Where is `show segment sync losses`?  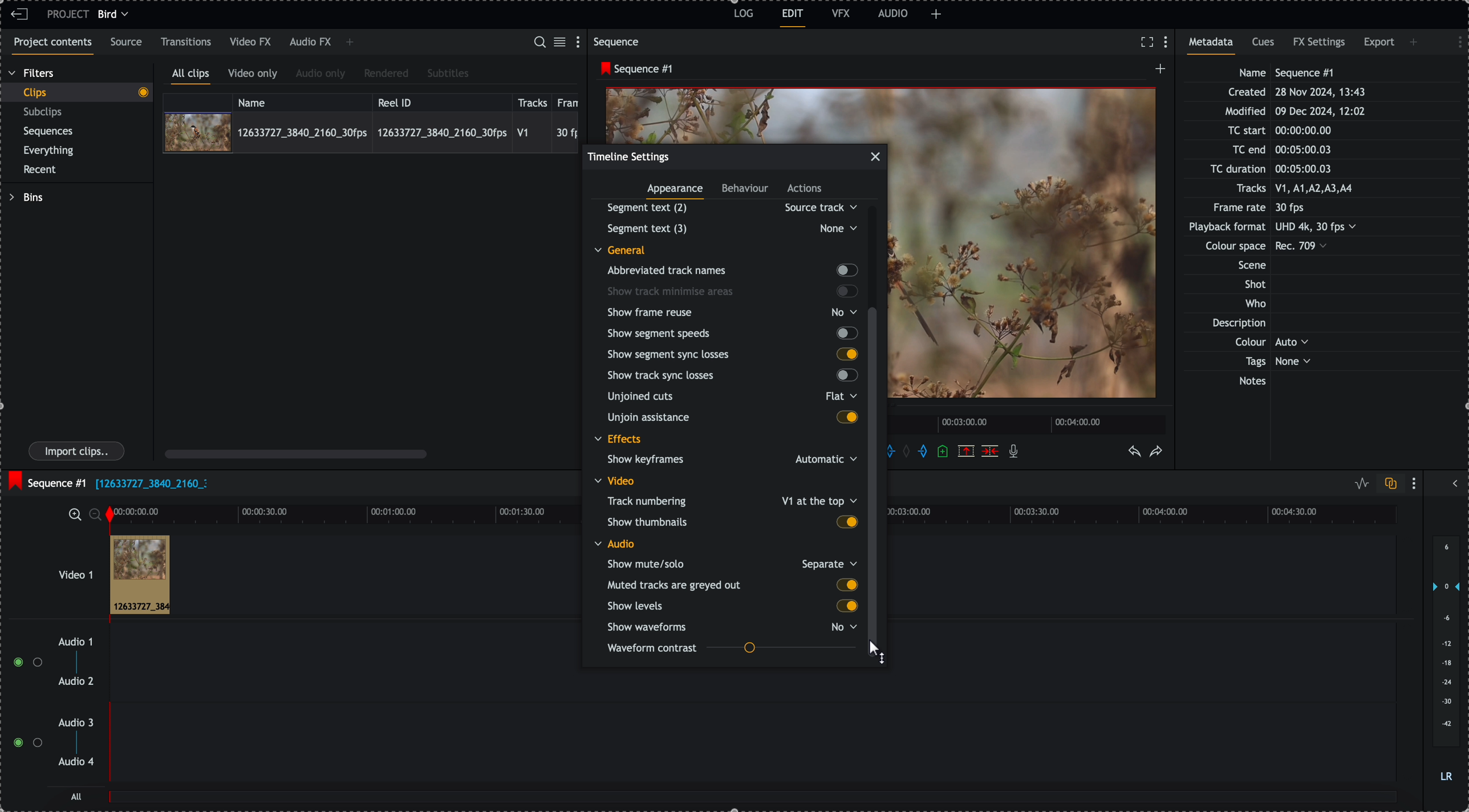
show segment sync losses is located at coordinates (732, 354).